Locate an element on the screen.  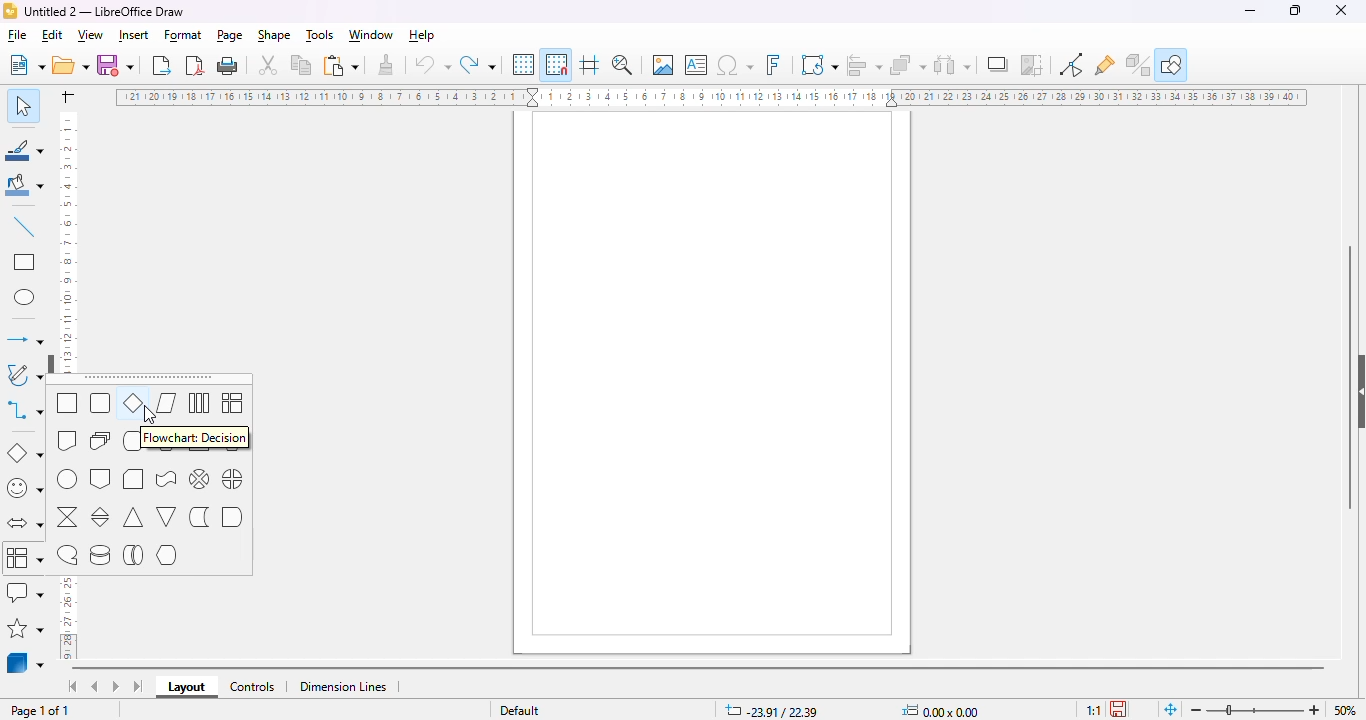
save is located at coordinates (118, 65).